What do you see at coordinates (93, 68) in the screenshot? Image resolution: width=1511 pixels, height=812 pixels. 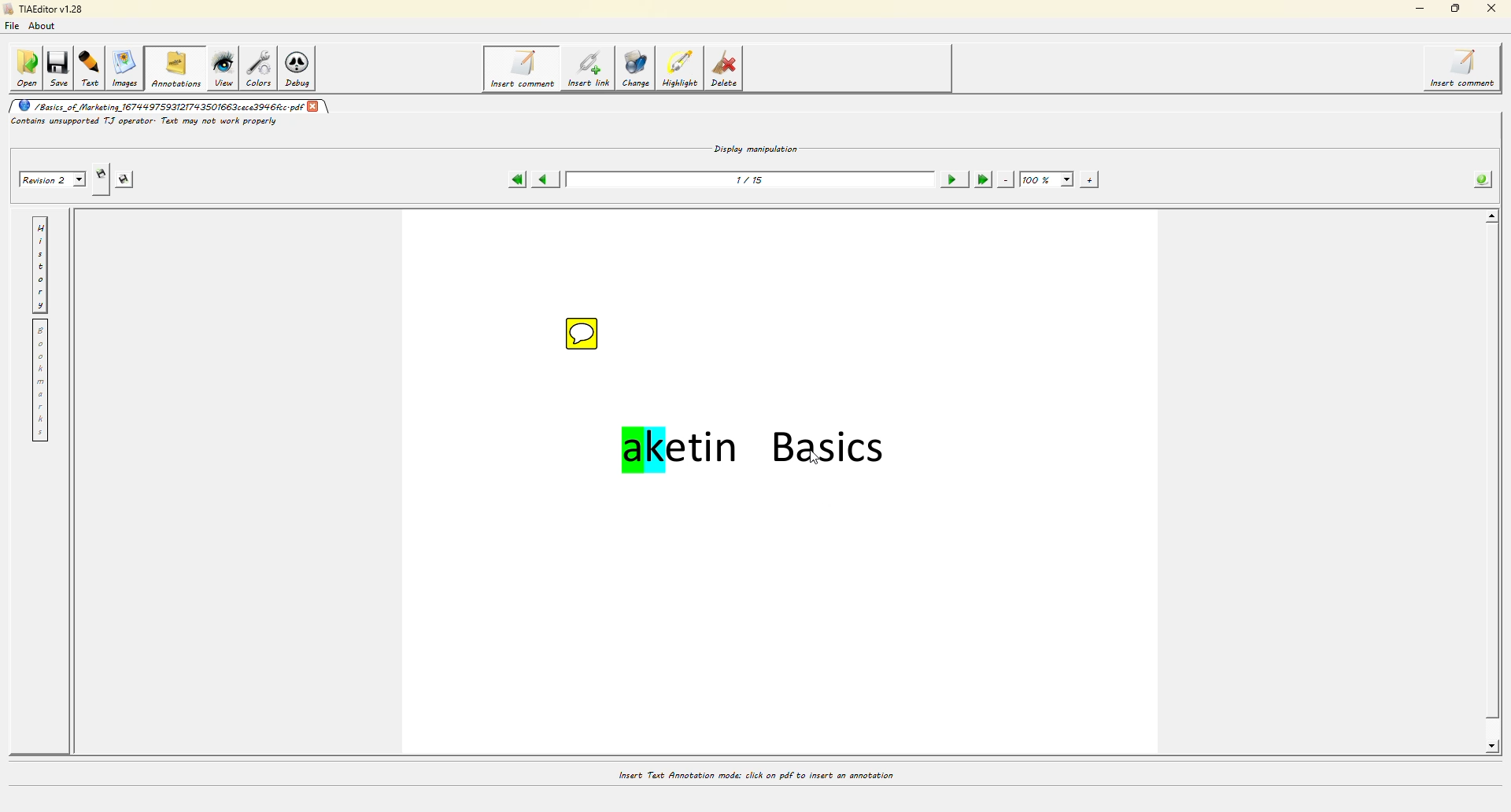 I see `text` at bounding box center [93, 68].